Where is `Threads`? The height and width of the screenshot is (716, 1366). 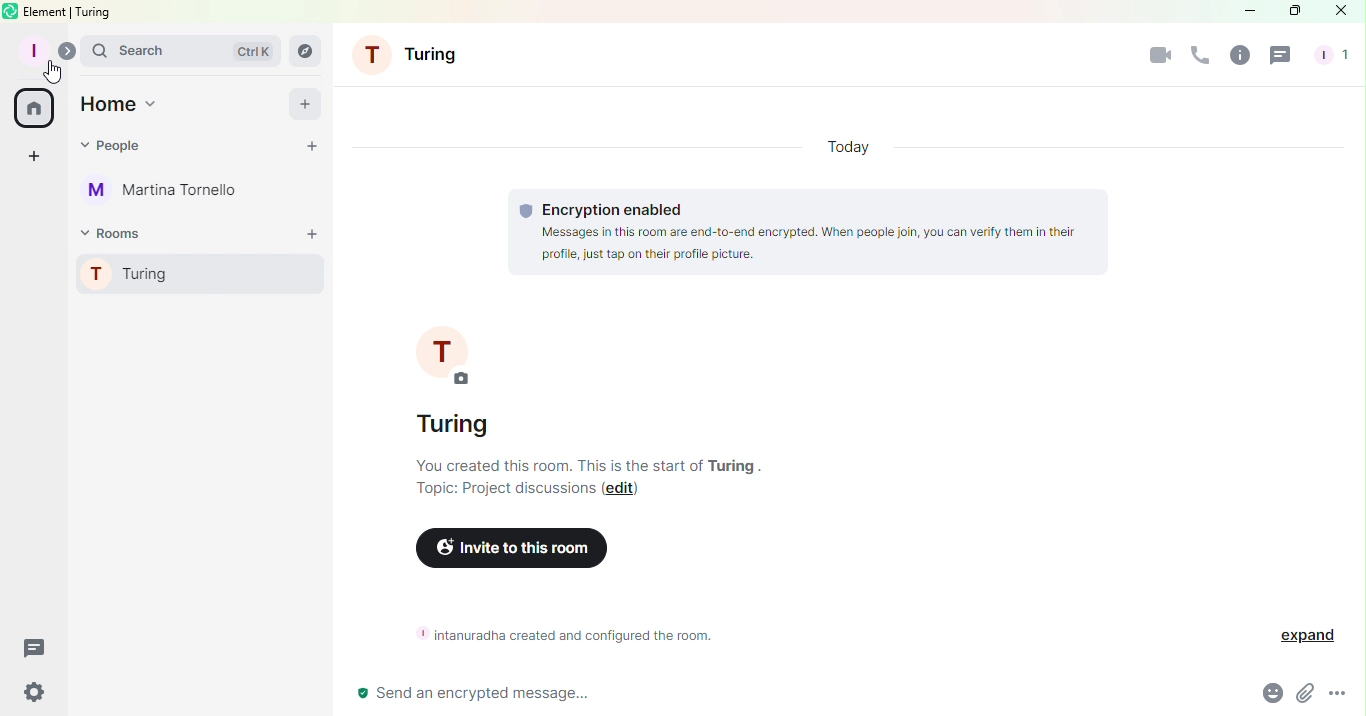
Threads is located at coordinates (1278, 58).